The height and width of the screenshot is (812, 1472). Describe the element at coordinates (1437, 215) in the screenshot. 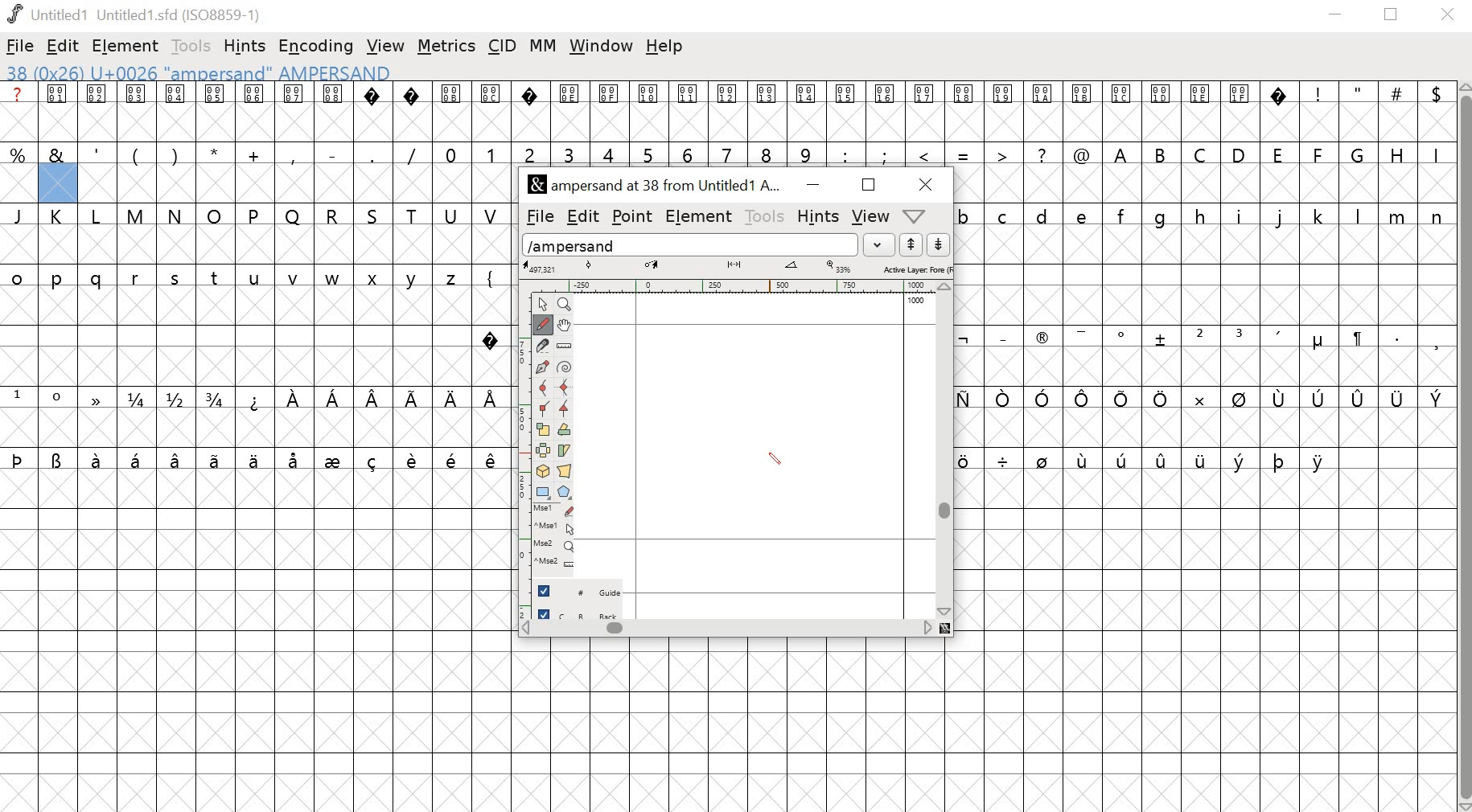

I see `n` at that location.